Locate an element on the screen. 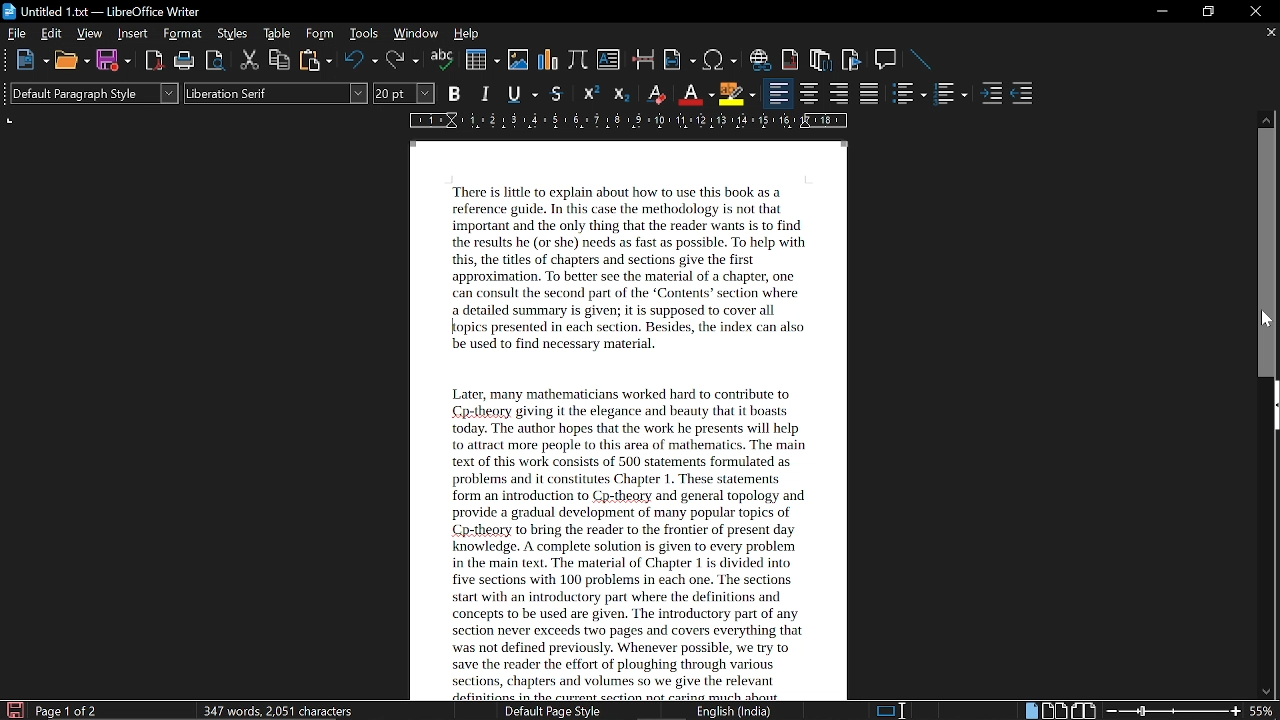 The width and height of the screenshot is (1280, 720). window is located at coordinates (416, 33).